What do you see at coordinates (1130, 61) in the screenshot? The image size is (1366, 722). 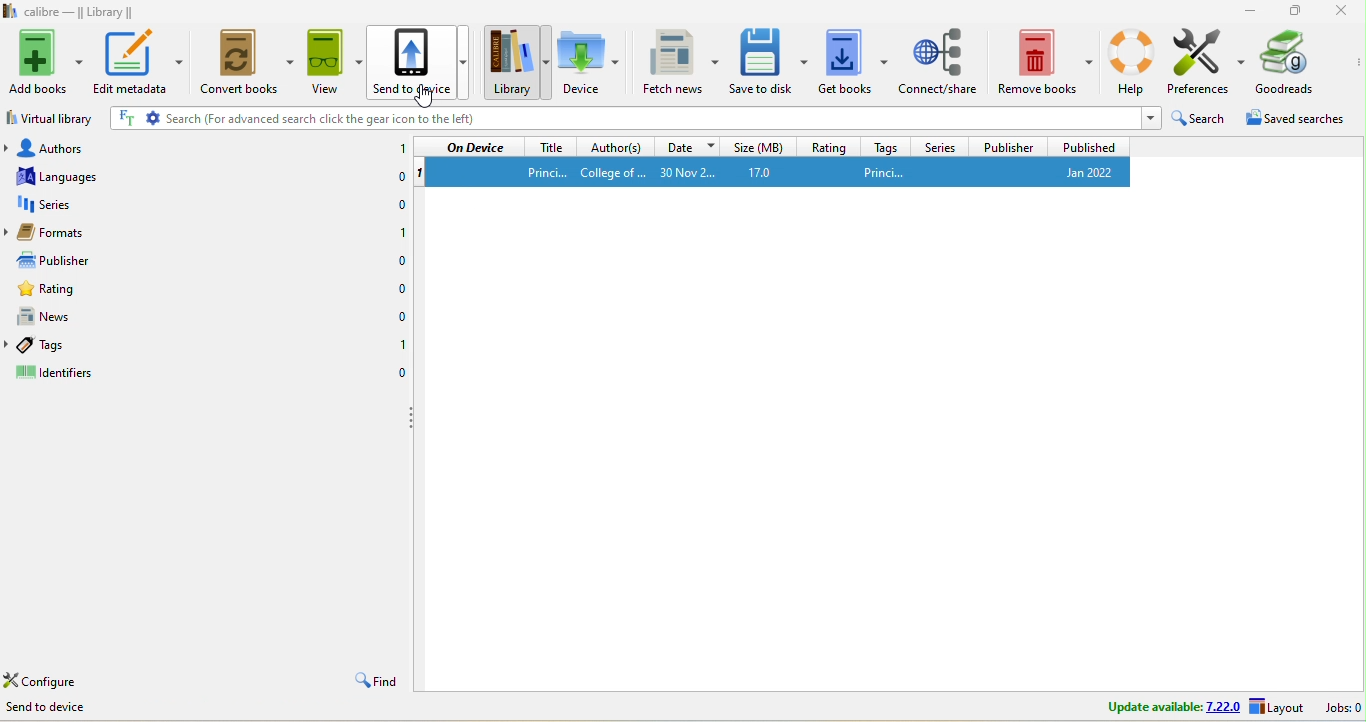 I see `help` at bounding box center [1130, 61].